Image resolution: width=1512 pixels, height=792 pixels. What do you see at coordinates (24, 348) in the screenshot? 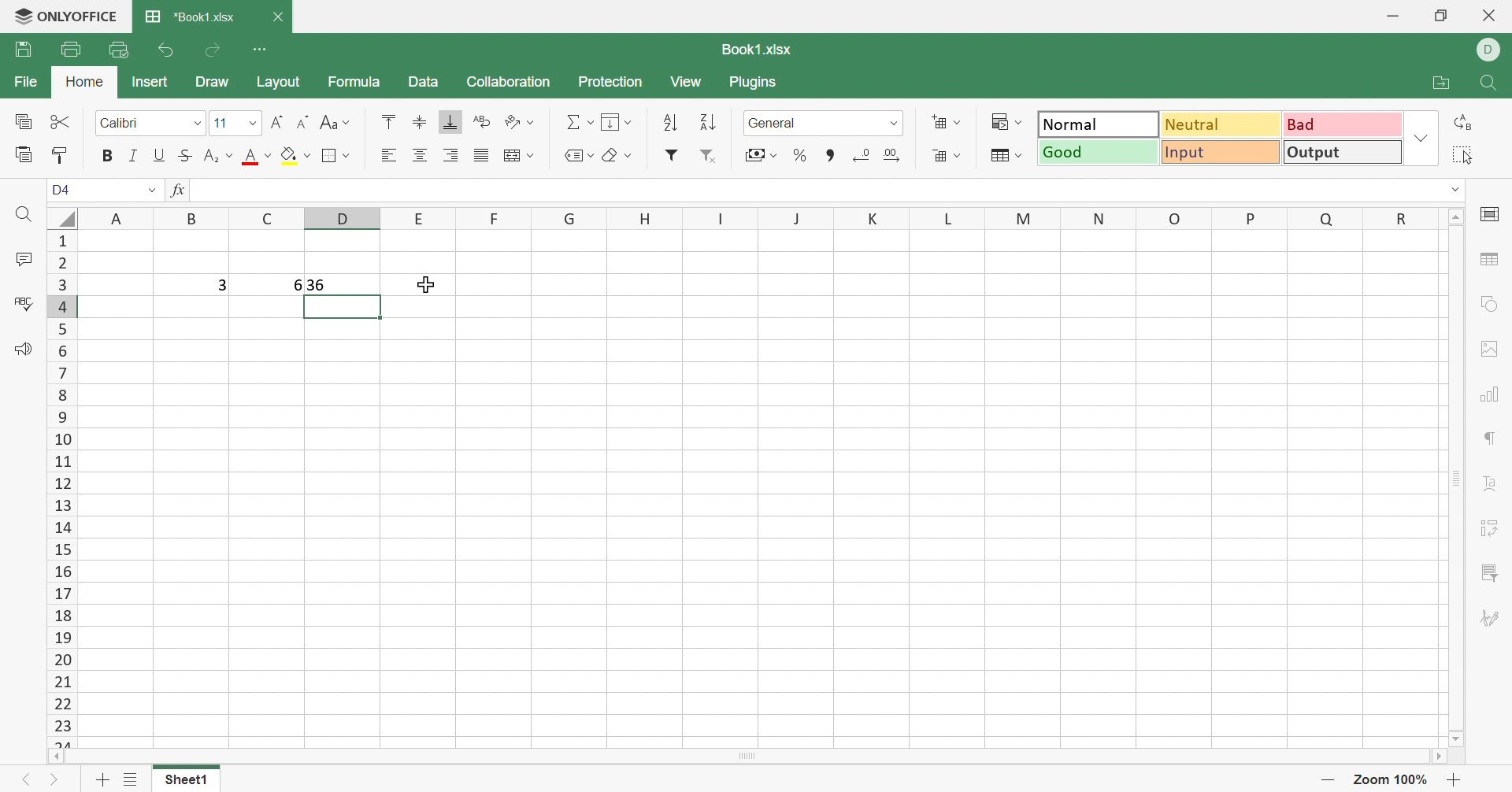
I see `Feedback & Support` at bounding box center [24, 348].